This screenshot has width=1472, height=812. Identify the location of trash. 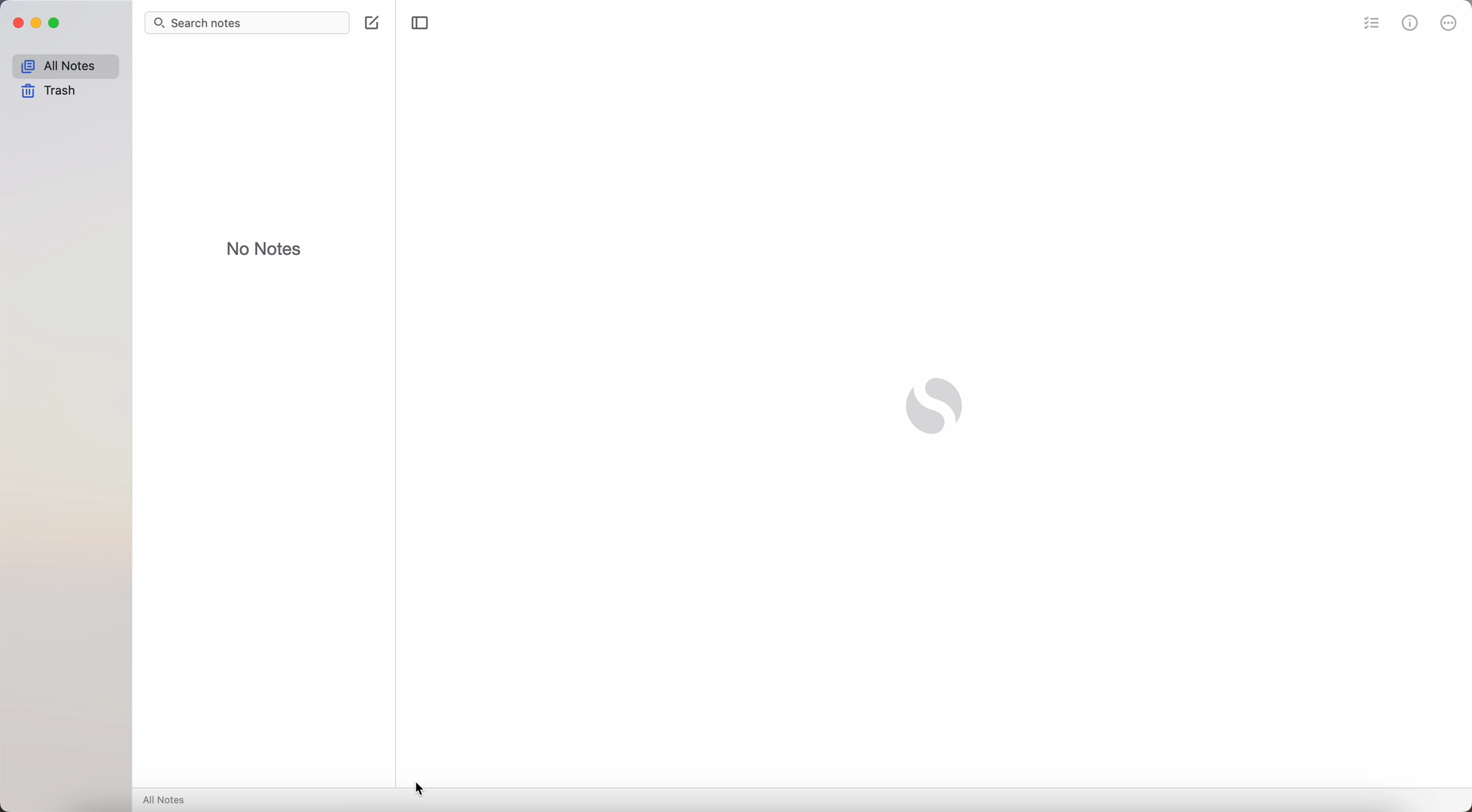
(47, 93).